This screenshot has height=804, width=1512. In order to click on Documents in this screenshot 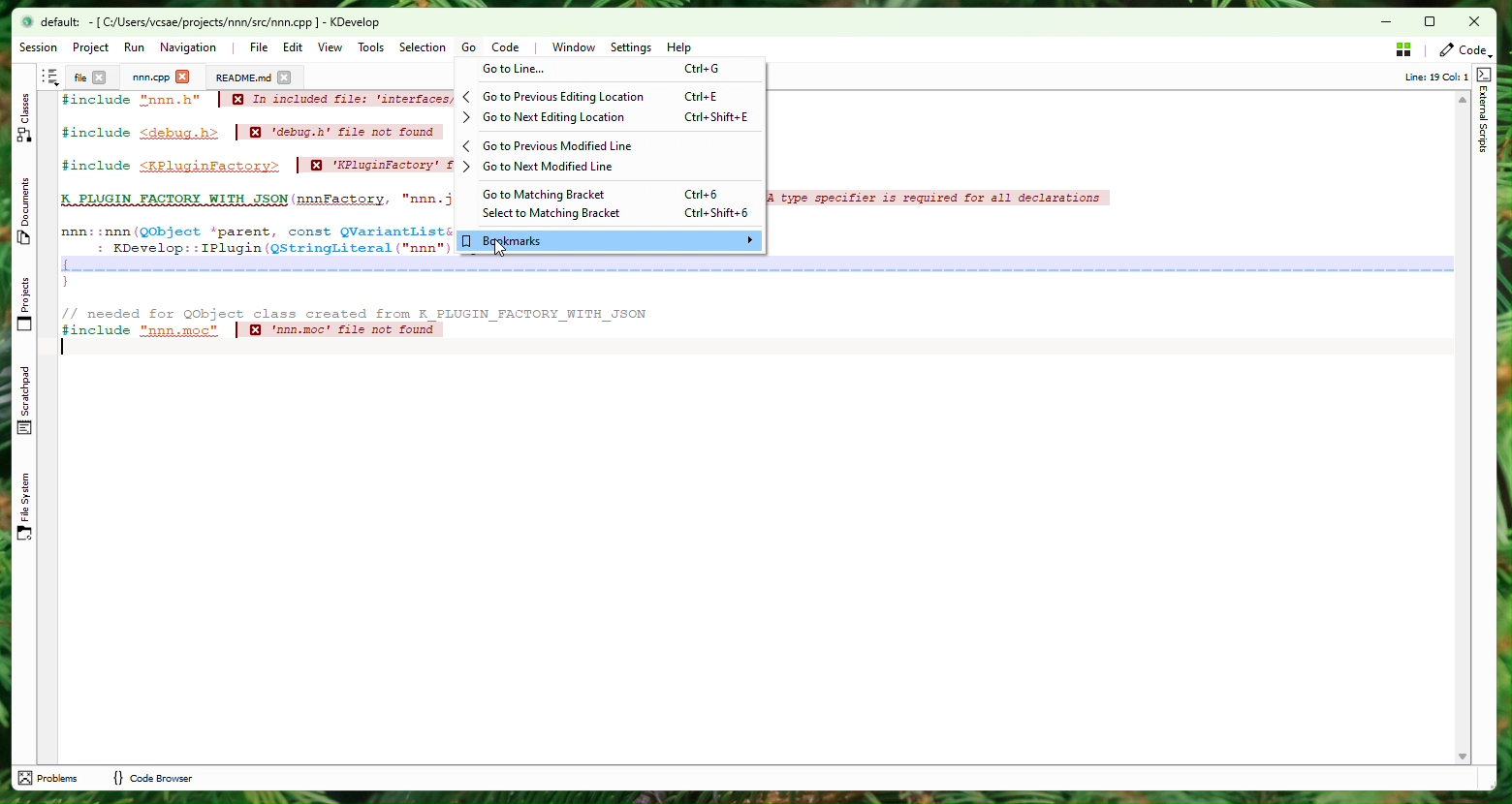, I will do `click(242, 77)`.